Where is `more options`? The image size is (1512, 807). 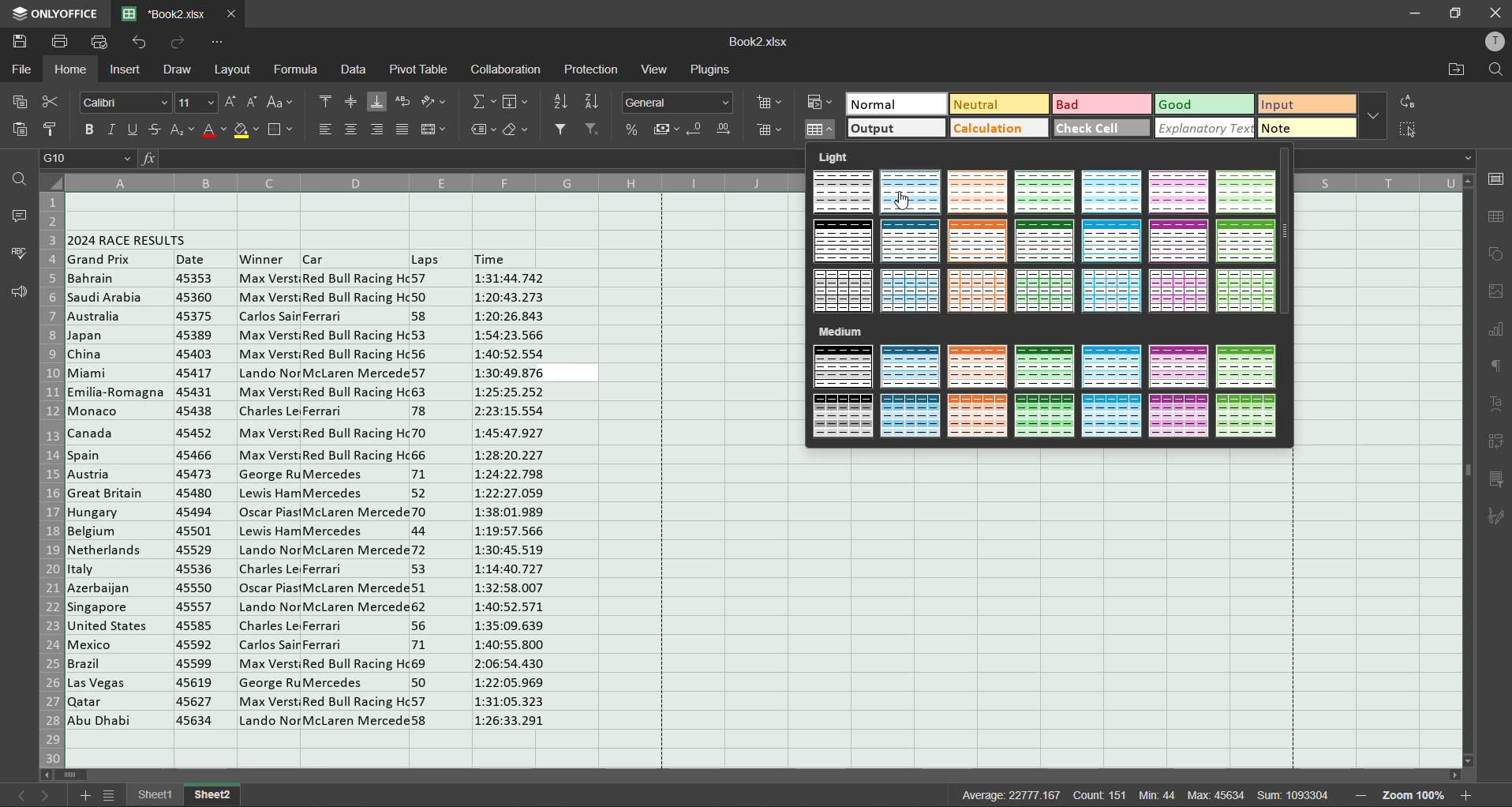 more options is located at coordinates (1373, 116).